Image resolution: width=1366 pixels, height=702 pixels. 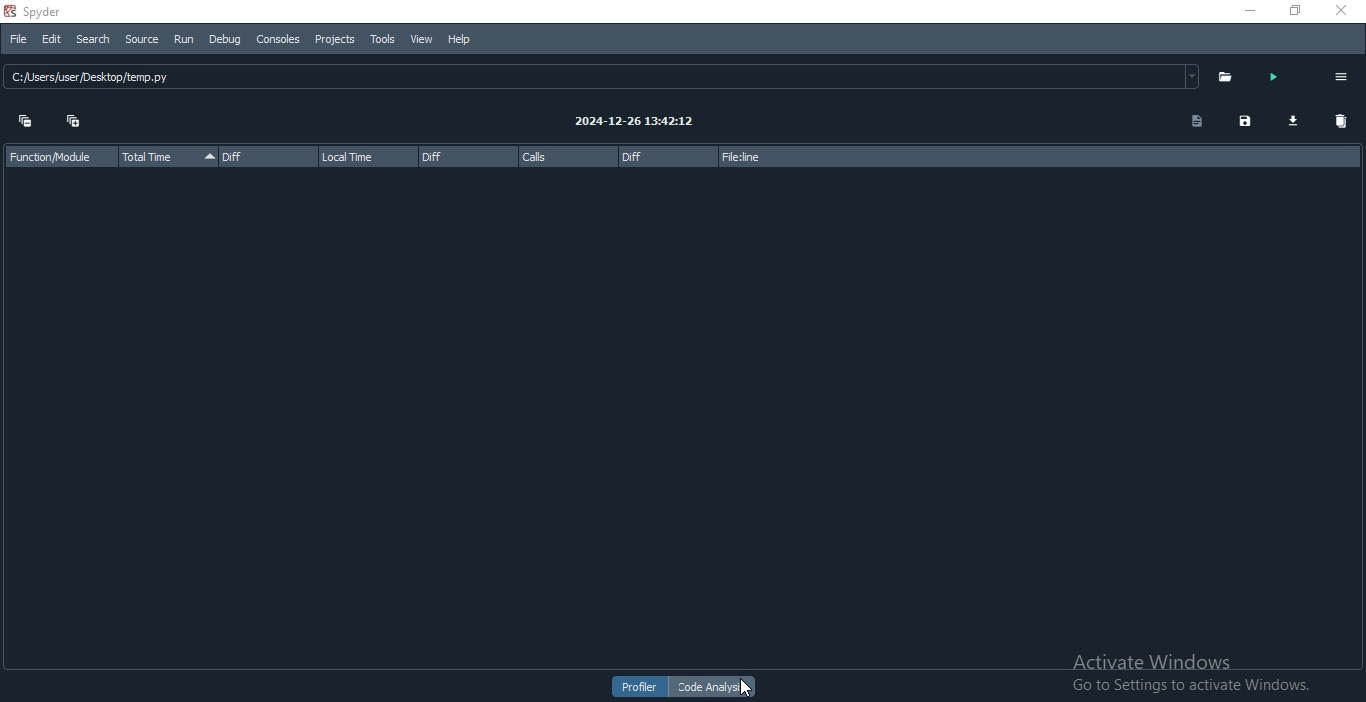 What do you see at coordinates (9, 12) in the screenshot?
I see `spyder logo` at bounding box center [9, 12].